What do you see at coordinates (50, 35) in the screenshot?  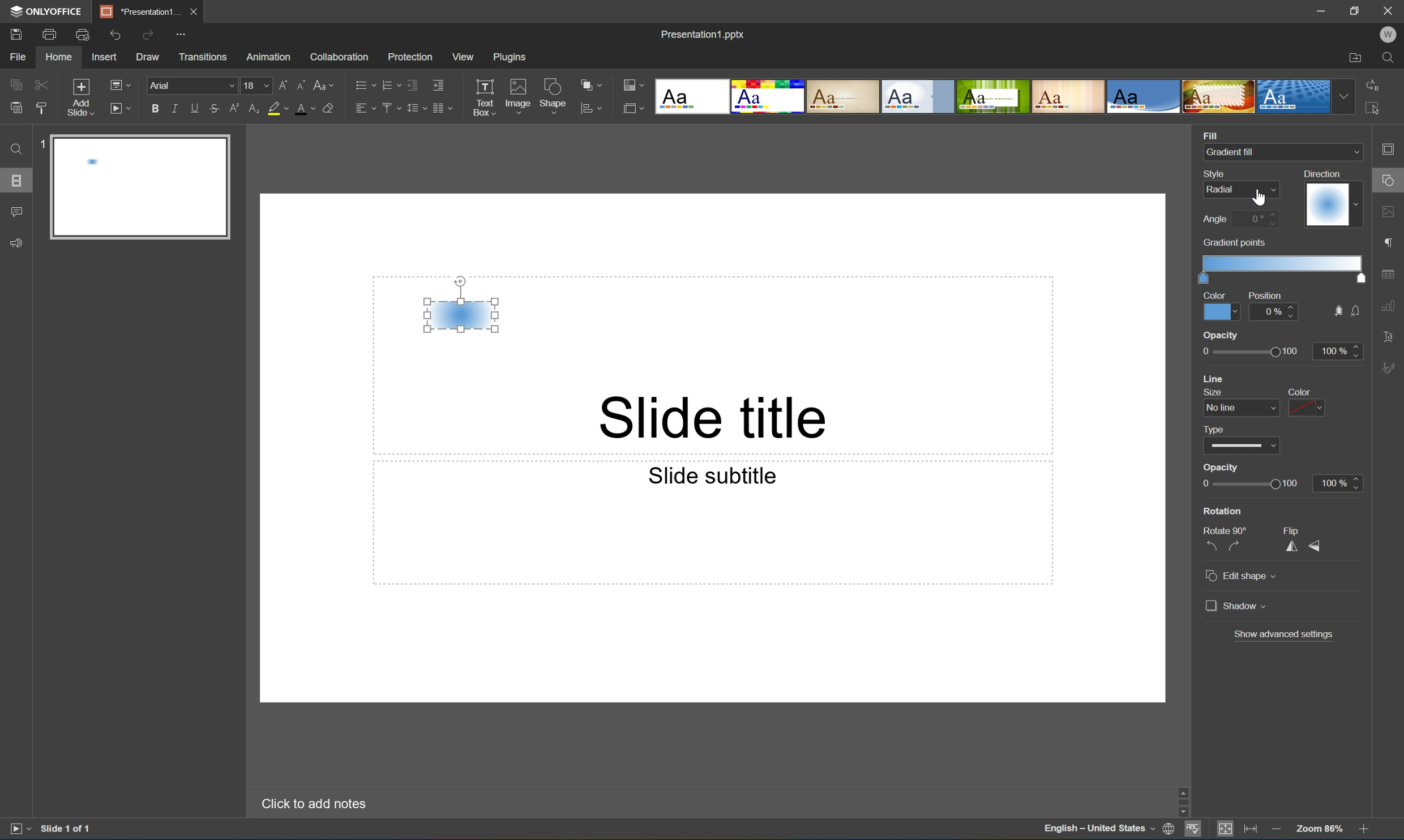 I see `Print file` at bounding box center [50, 35].